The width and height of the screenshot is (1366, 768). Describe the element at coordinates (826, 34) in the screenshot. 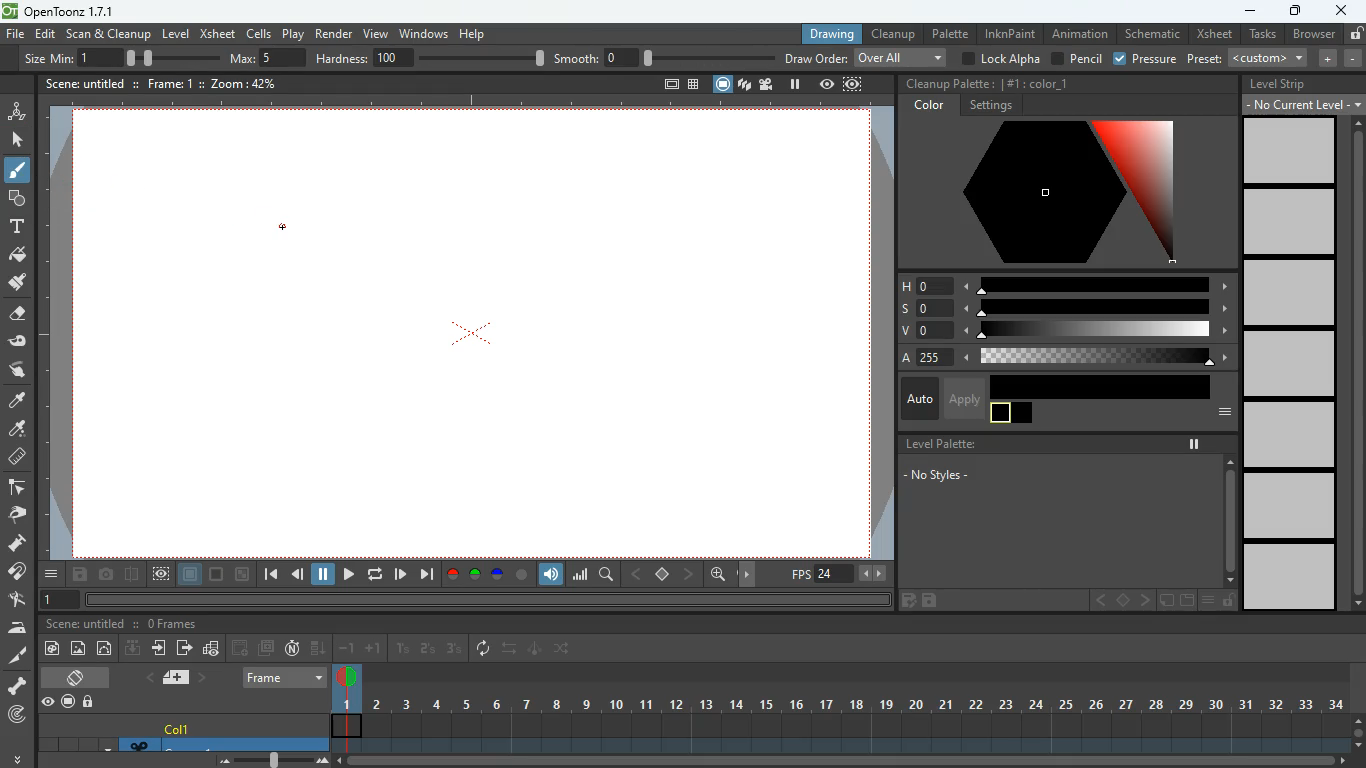

I see `drawing` at that location.